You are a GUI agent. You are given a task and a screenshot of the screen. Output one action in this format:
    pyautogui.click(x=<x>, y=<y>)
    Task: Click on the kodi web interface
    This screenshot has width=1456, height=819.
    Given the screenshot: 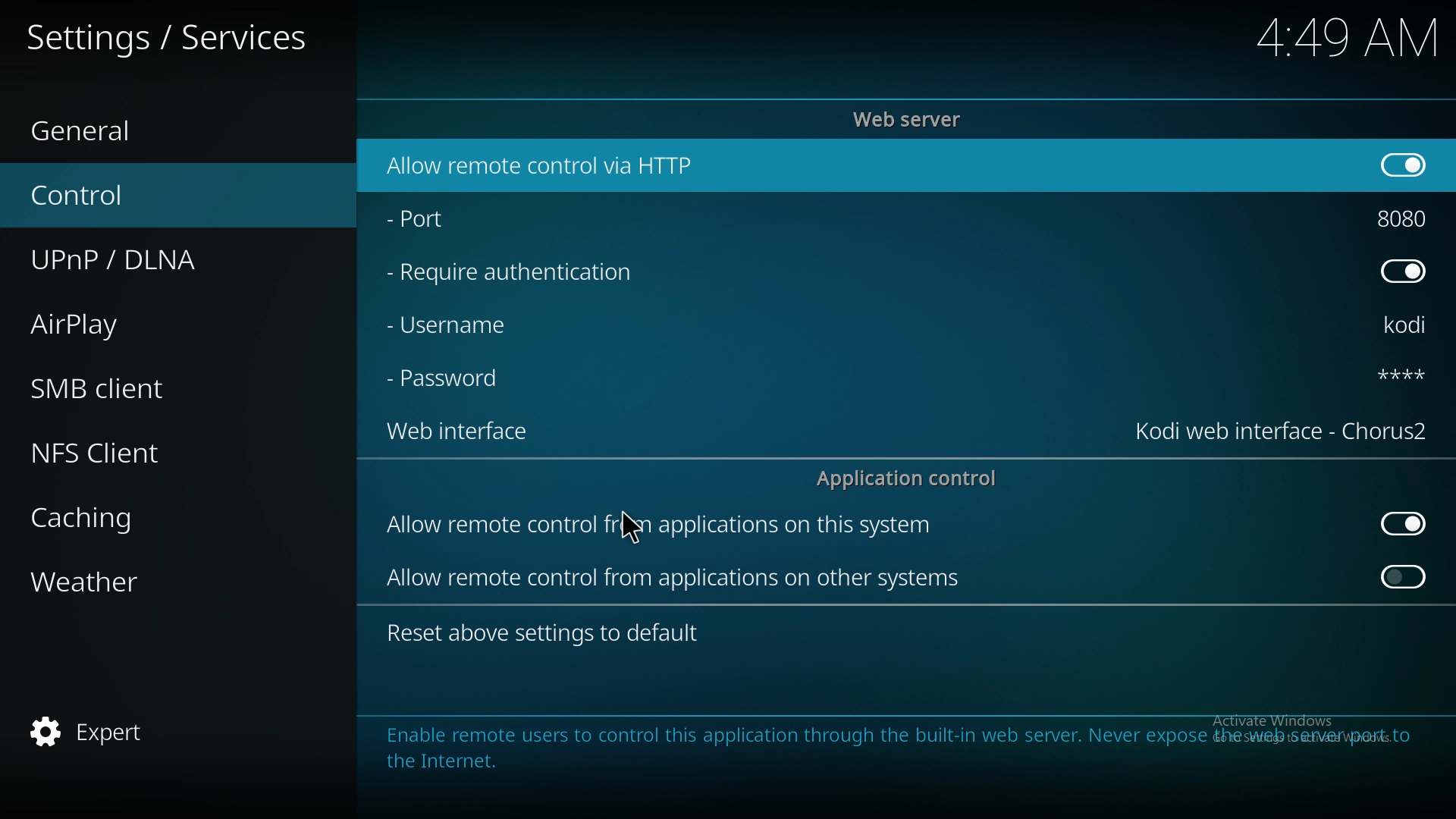 What is the action you would take?
    pyautogui.click(x=1281, y=431)
    